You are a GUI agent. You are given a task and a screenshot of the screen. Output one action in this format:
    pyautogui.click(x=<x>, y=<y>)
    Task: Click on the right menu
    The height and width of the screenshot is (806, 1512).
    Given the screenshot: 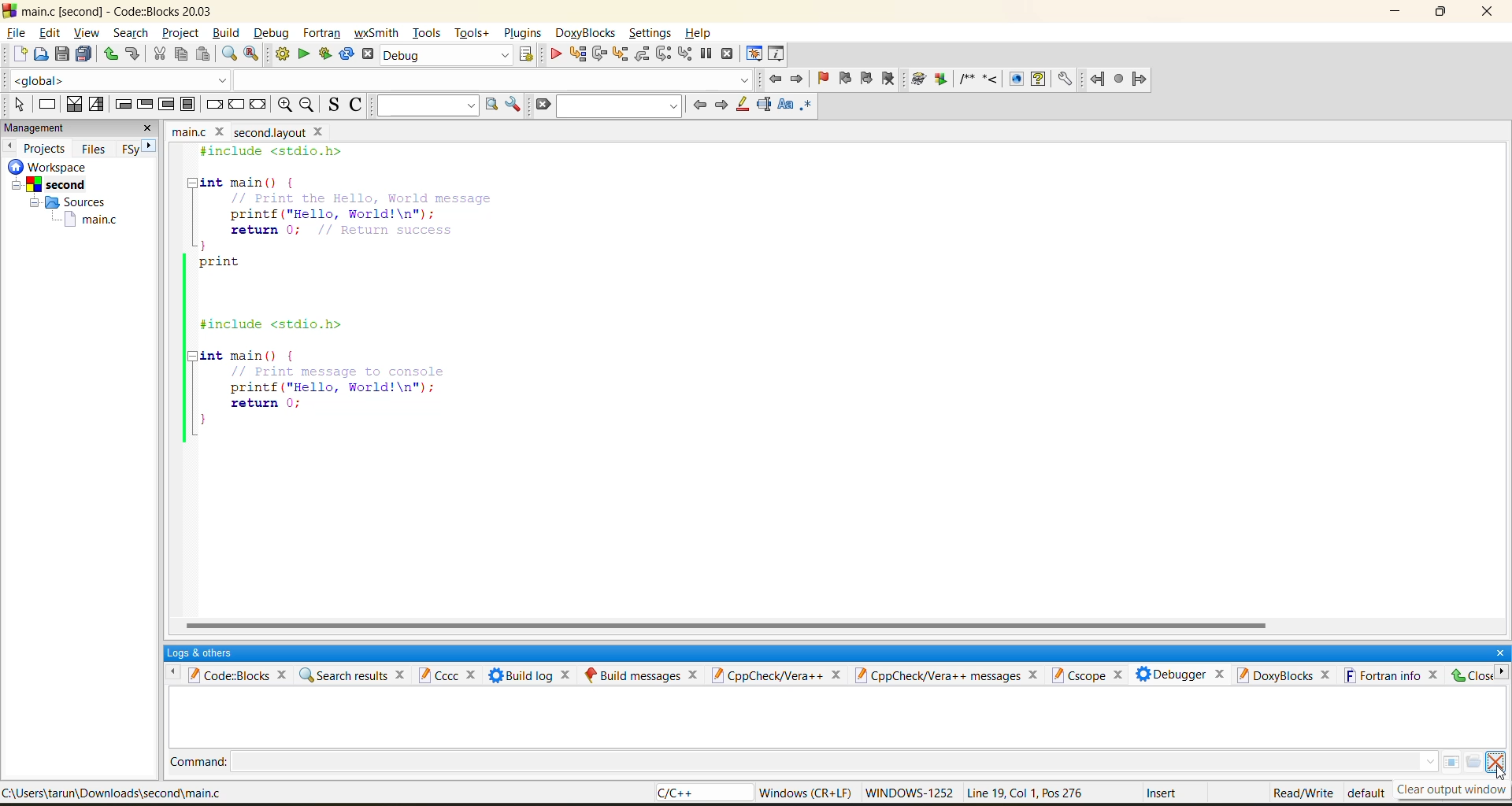 What is the action you would take?
    pyautogui.click(x=1503, y=678)
    